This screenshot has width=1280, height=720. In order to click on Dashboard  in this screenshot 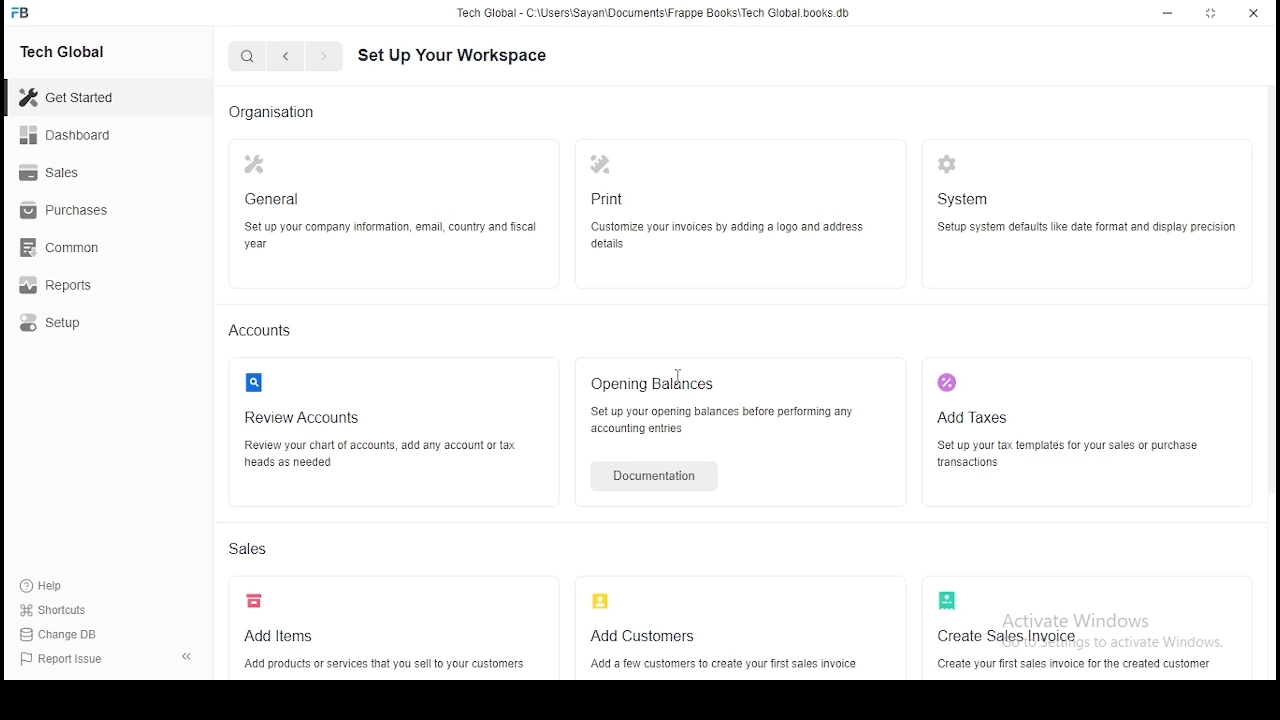, I will do `click(85, 135)`.